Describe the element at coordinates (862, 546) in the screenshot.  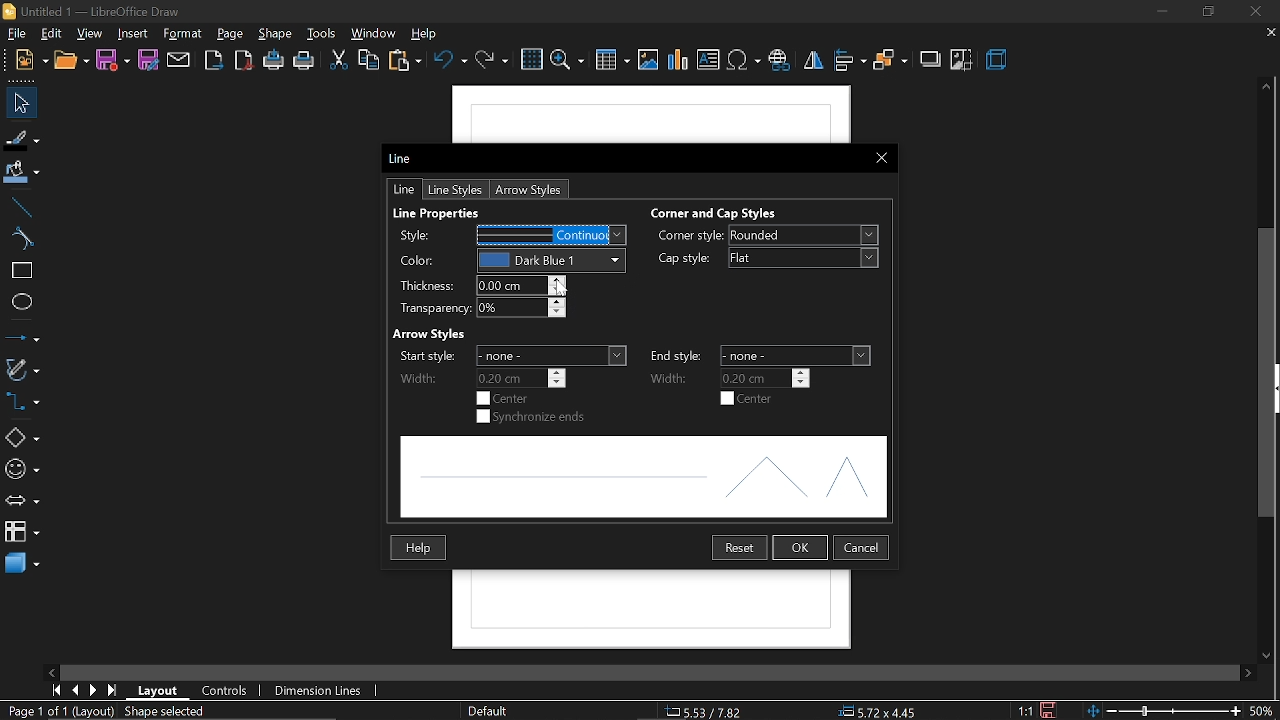
I see `cancel` at that location.